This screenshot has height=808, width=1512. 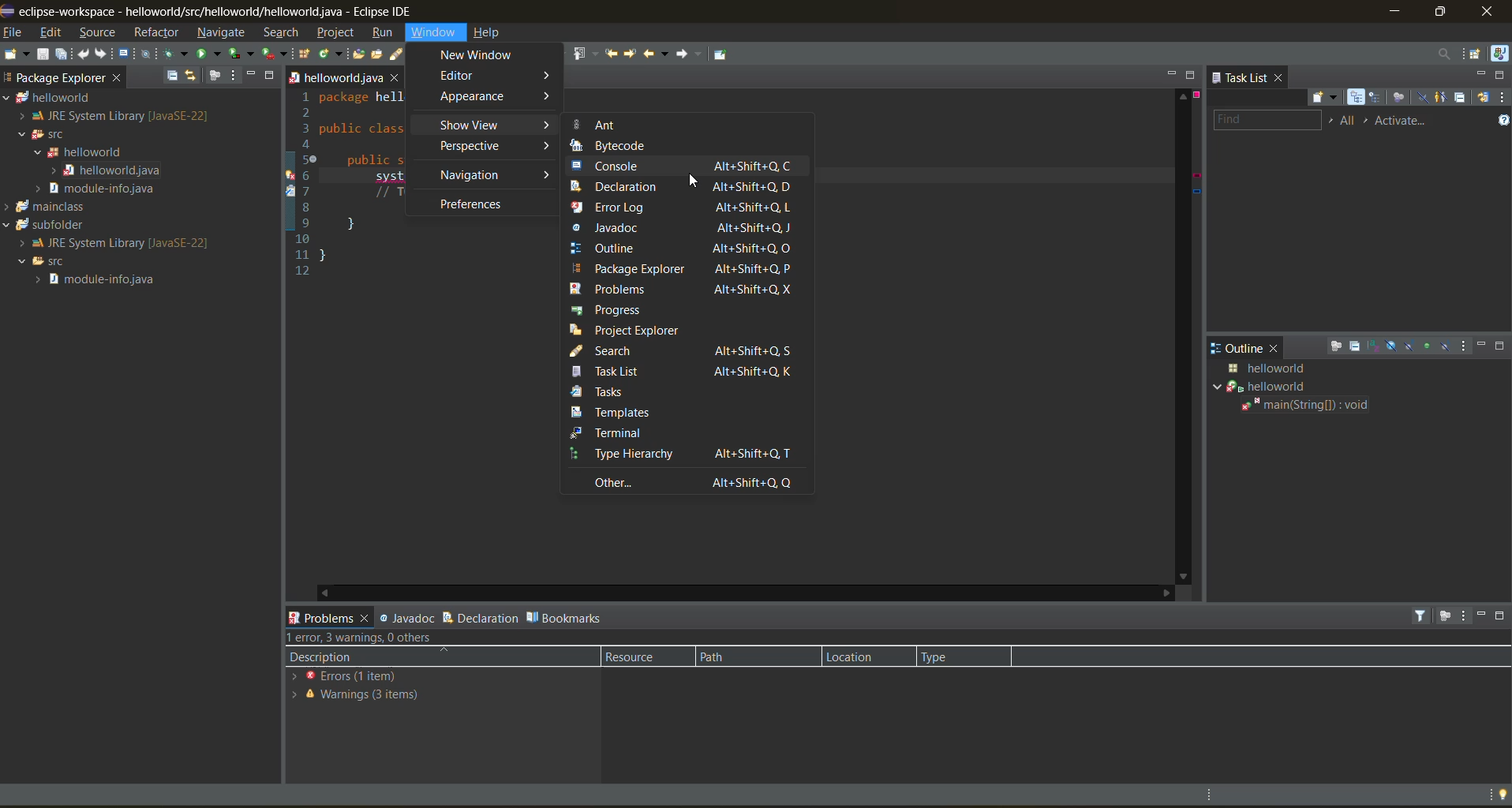 I want to click on search, so click(x=683, y=350).